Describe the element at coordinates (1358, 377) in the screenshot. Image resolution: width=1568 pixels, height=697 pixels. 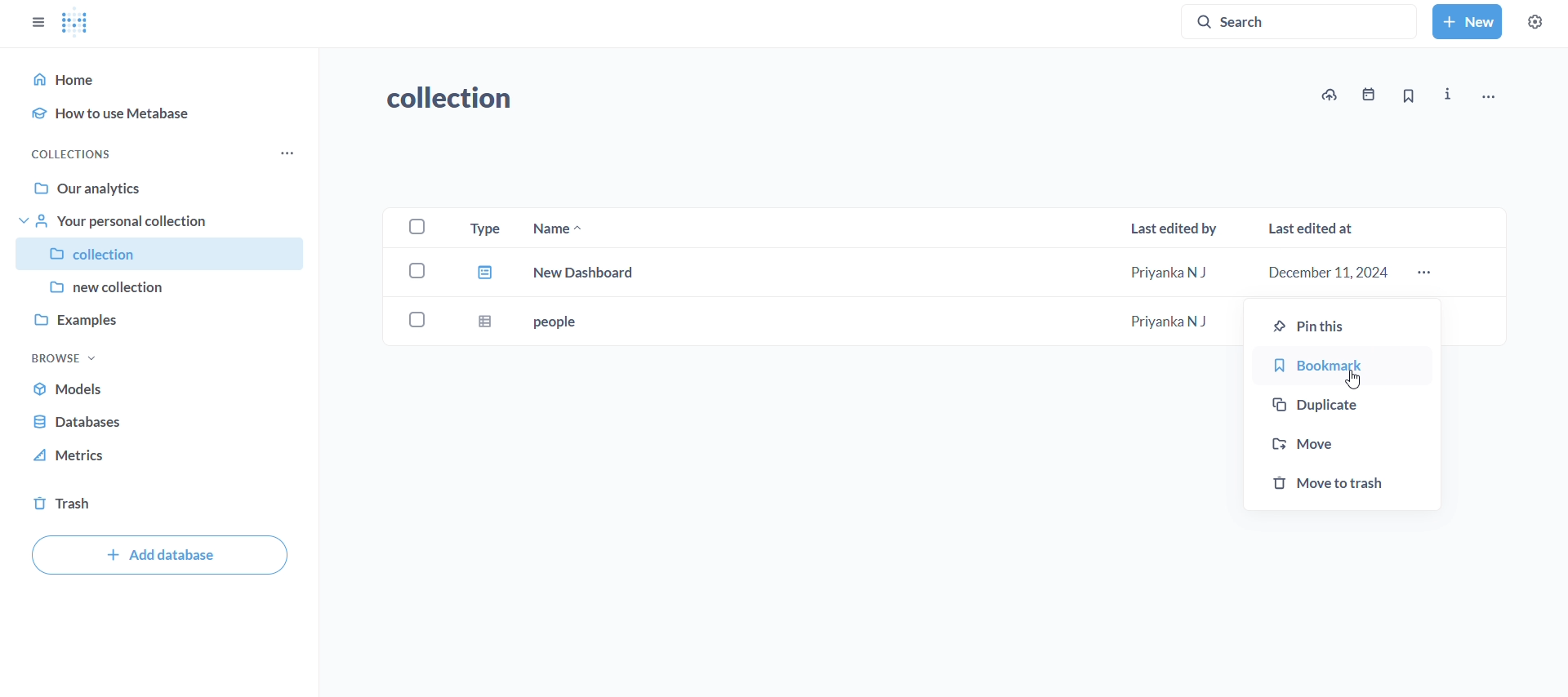
I see `cursor` at that location.